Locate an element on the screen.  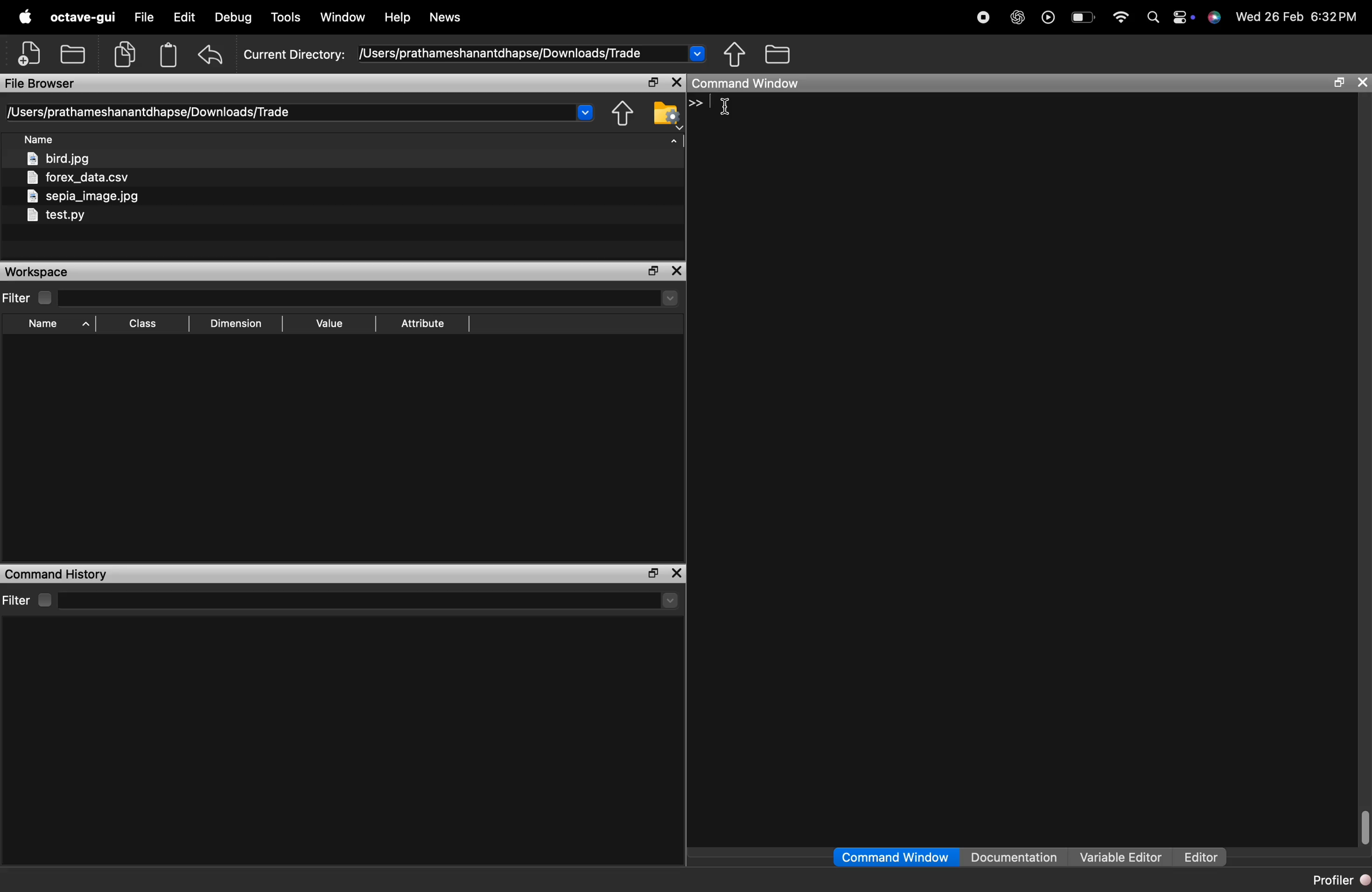
close is located at coordinates (676, 82).